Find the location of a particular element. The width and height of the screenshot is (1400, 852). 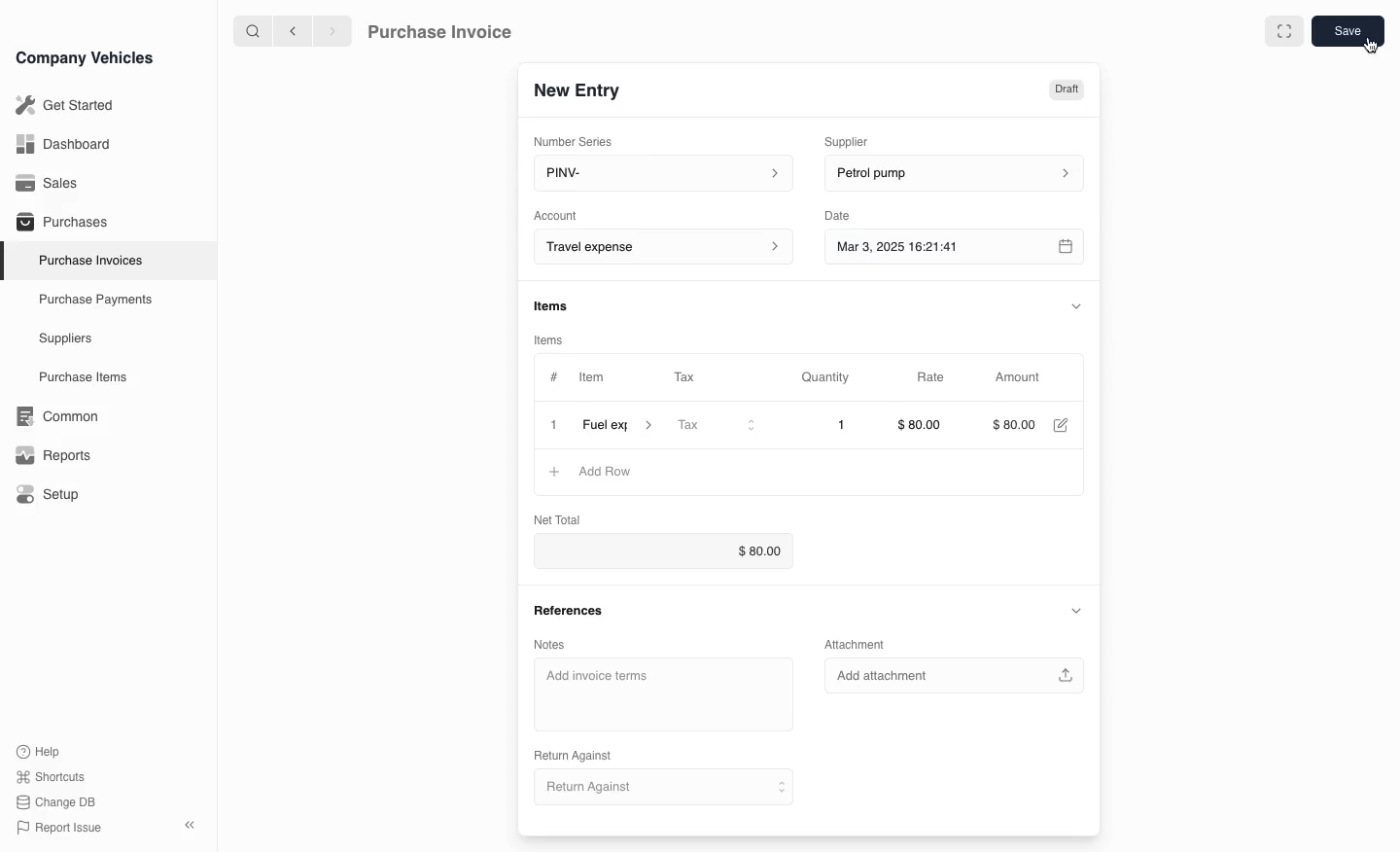

Sales is located at coordinates (48, 183).